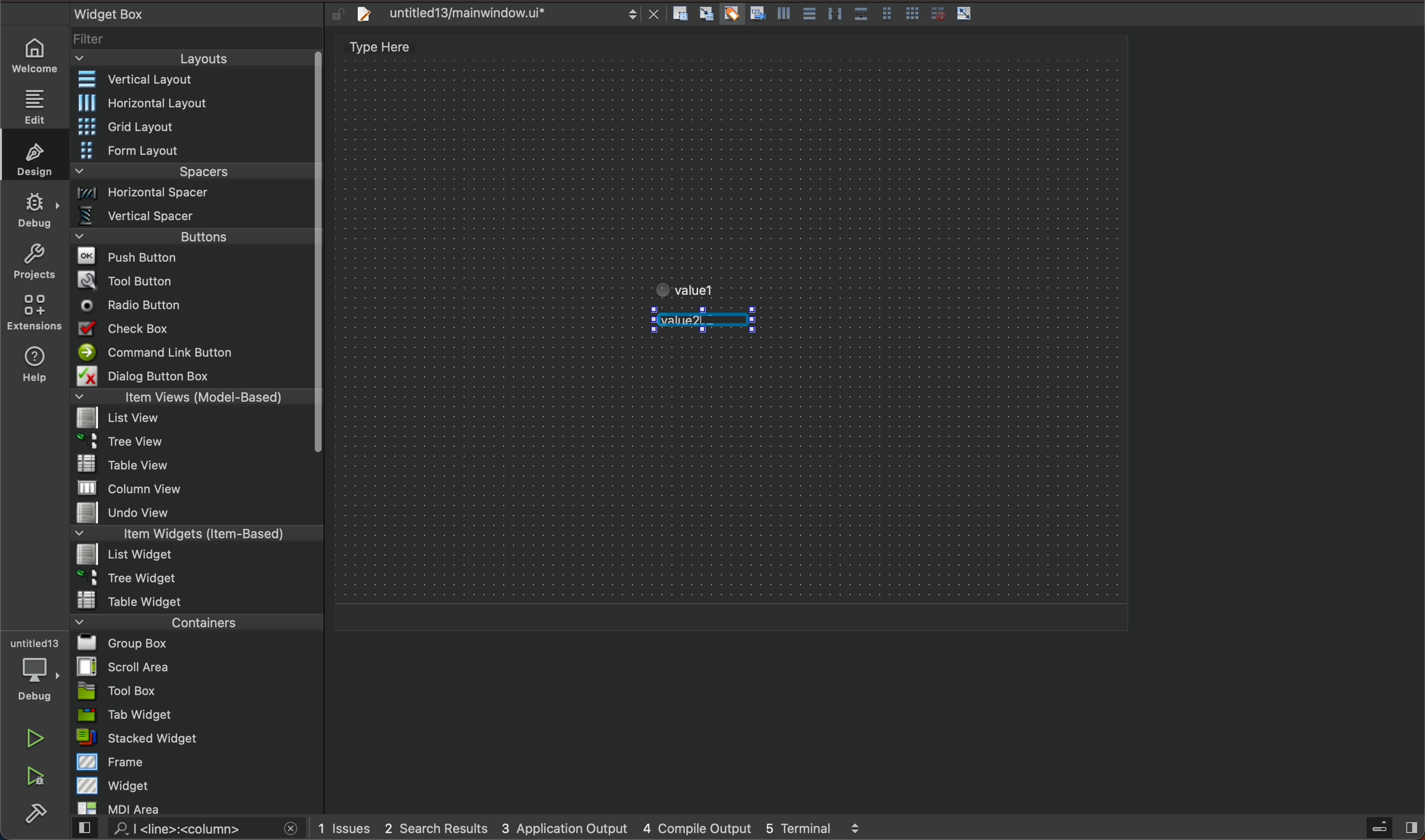 The image size is (1425, 840). I want to click on , so click(965, 14).